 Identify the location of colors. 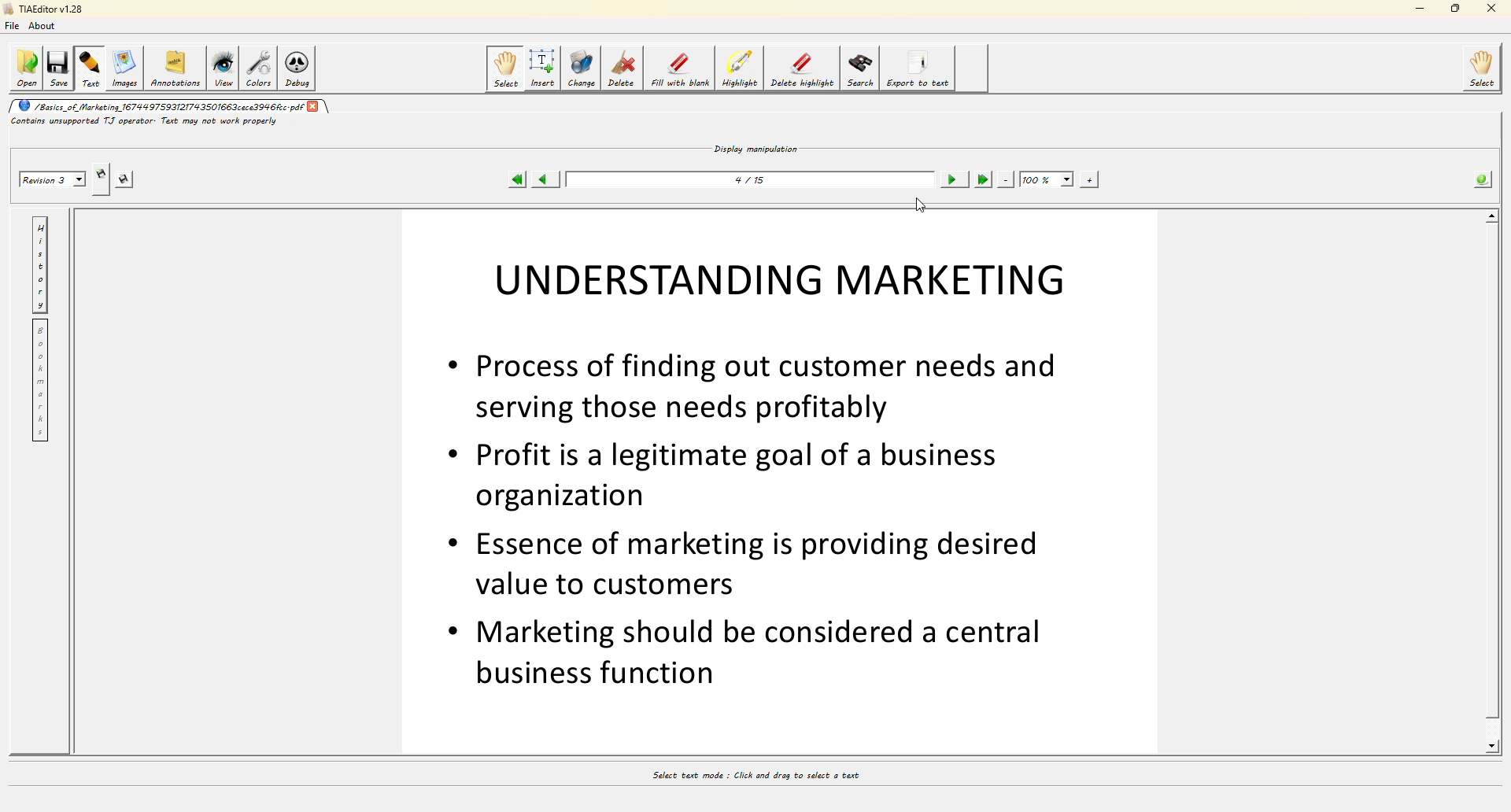
(260, 68).